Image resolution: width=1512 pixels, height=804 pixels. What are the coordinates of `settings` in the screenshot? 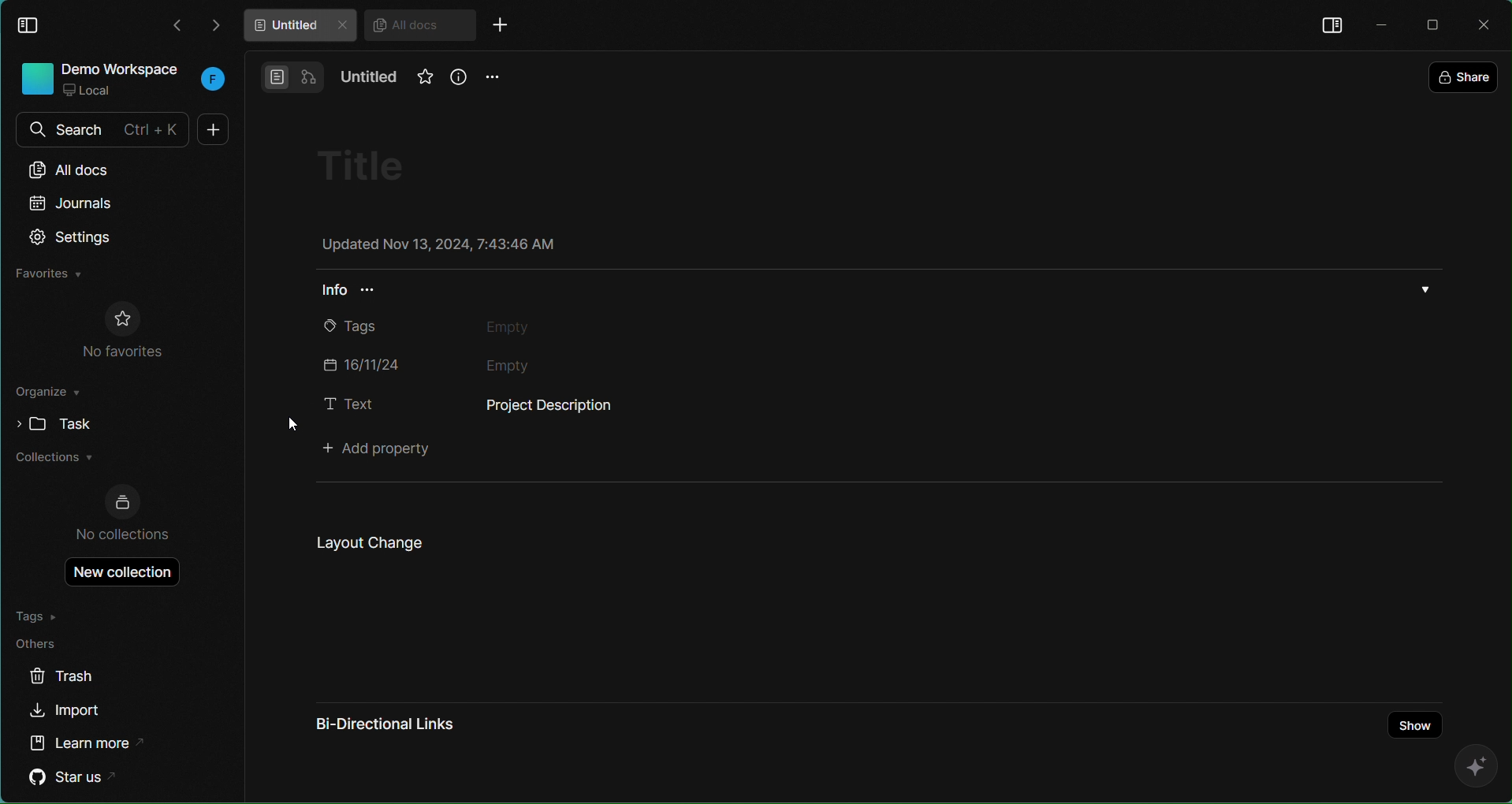 It's located at (73, 238).